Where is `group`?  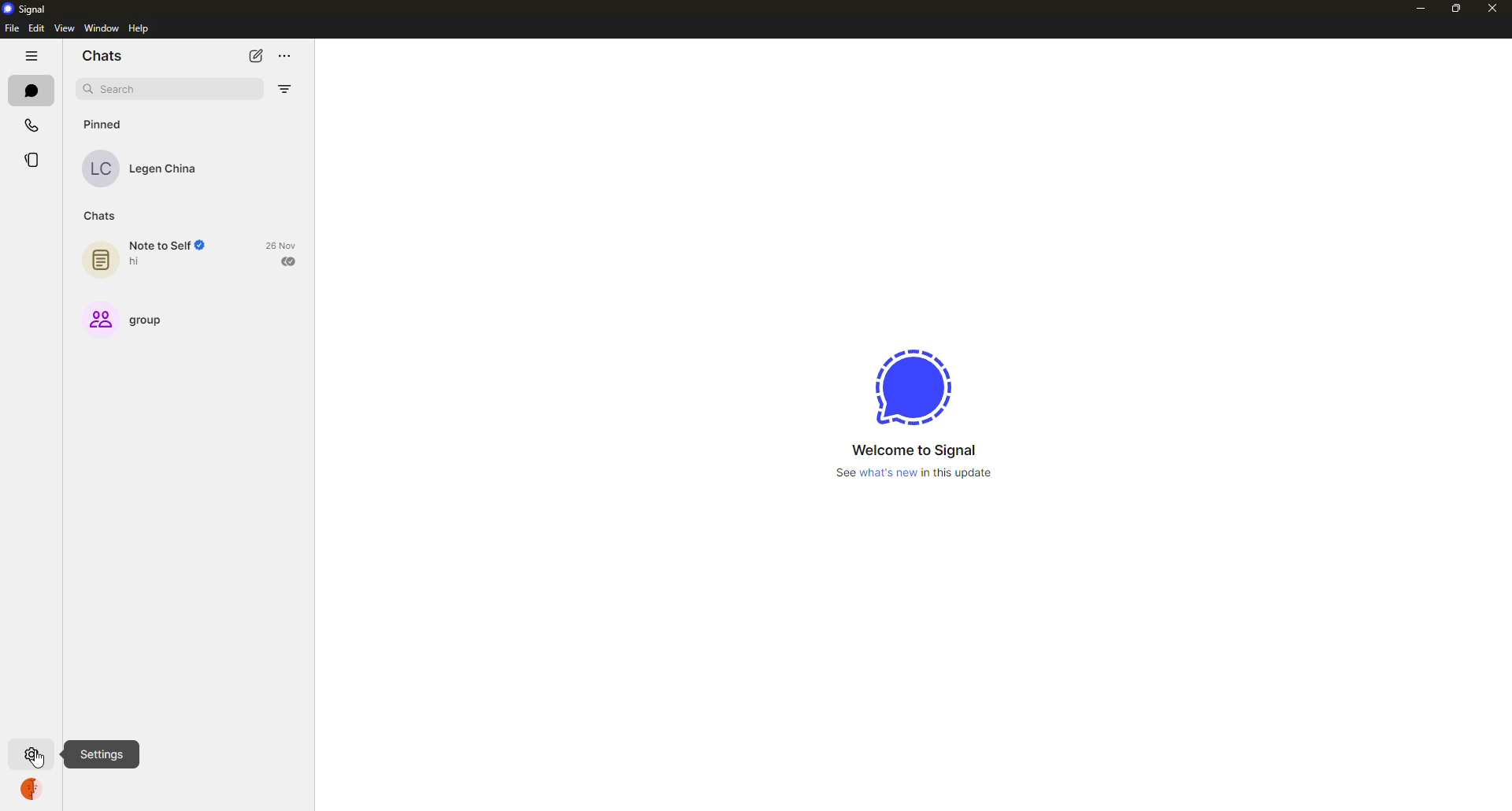 group is located at coordinates (146, 320).